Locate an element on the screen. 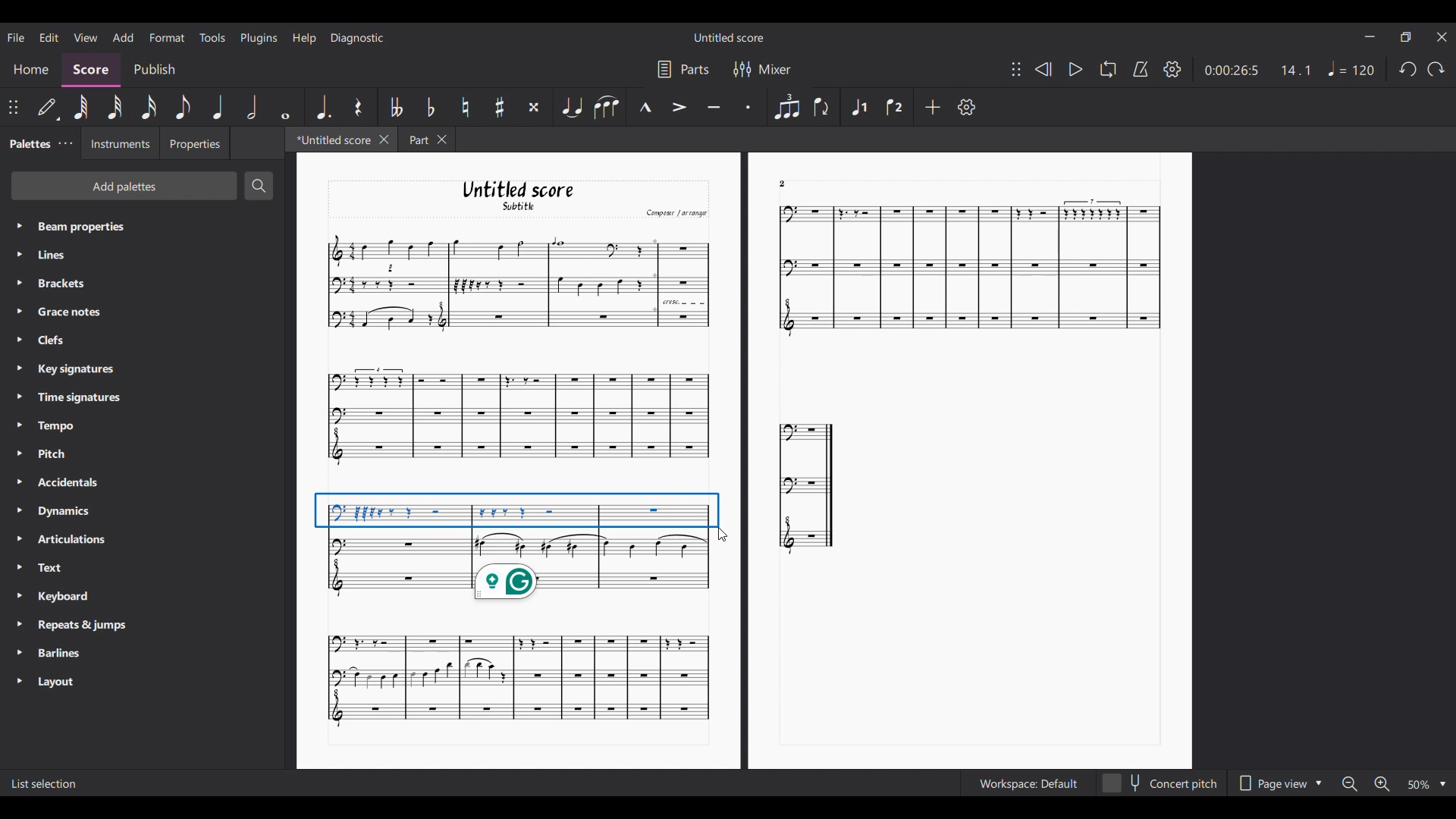 The width and height of the screenshot is (1456, 819). Flip direction is located at coordinates (822, 106).